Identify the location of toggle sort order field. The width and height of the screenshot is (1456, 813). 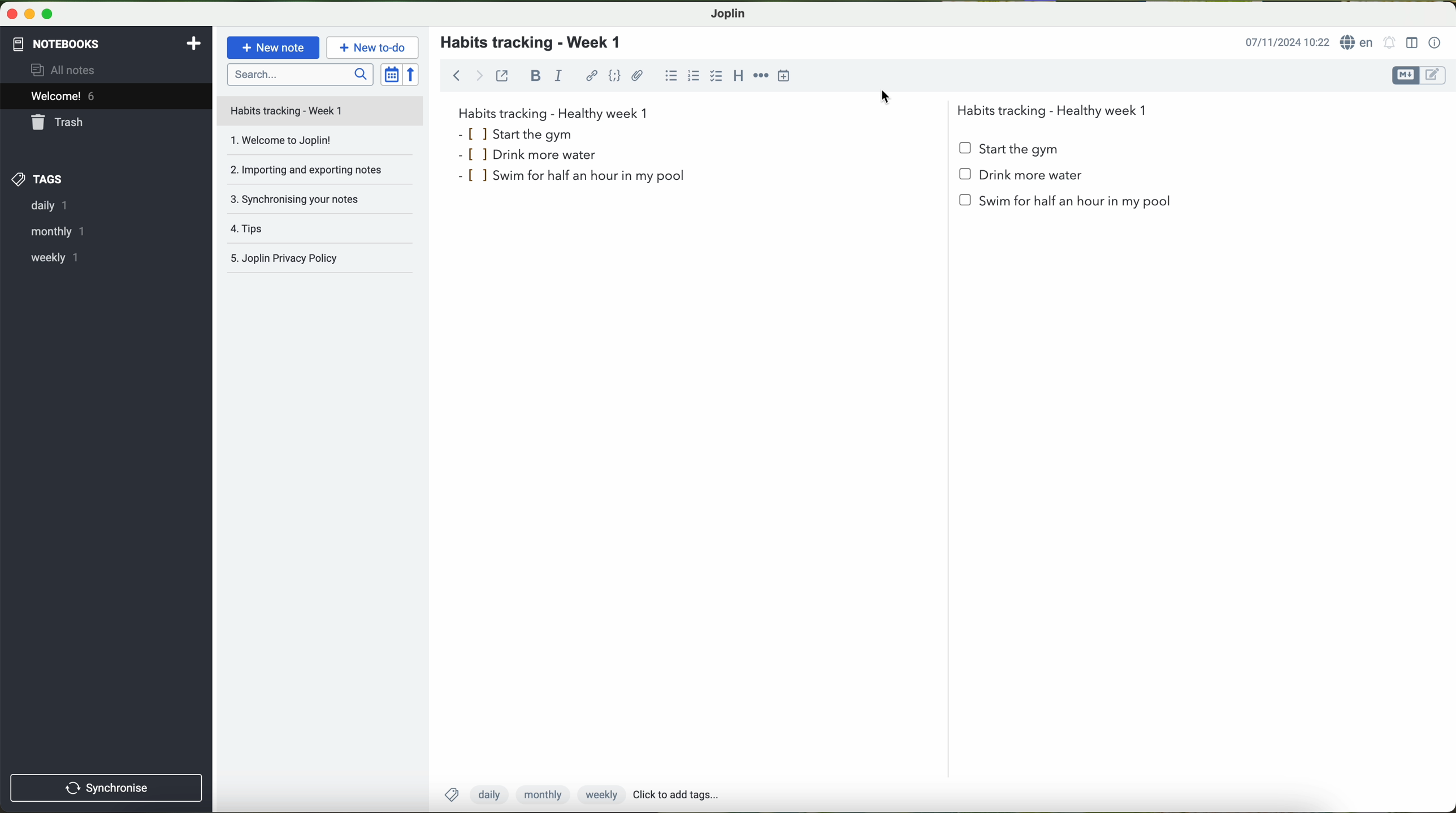
(391, 74).